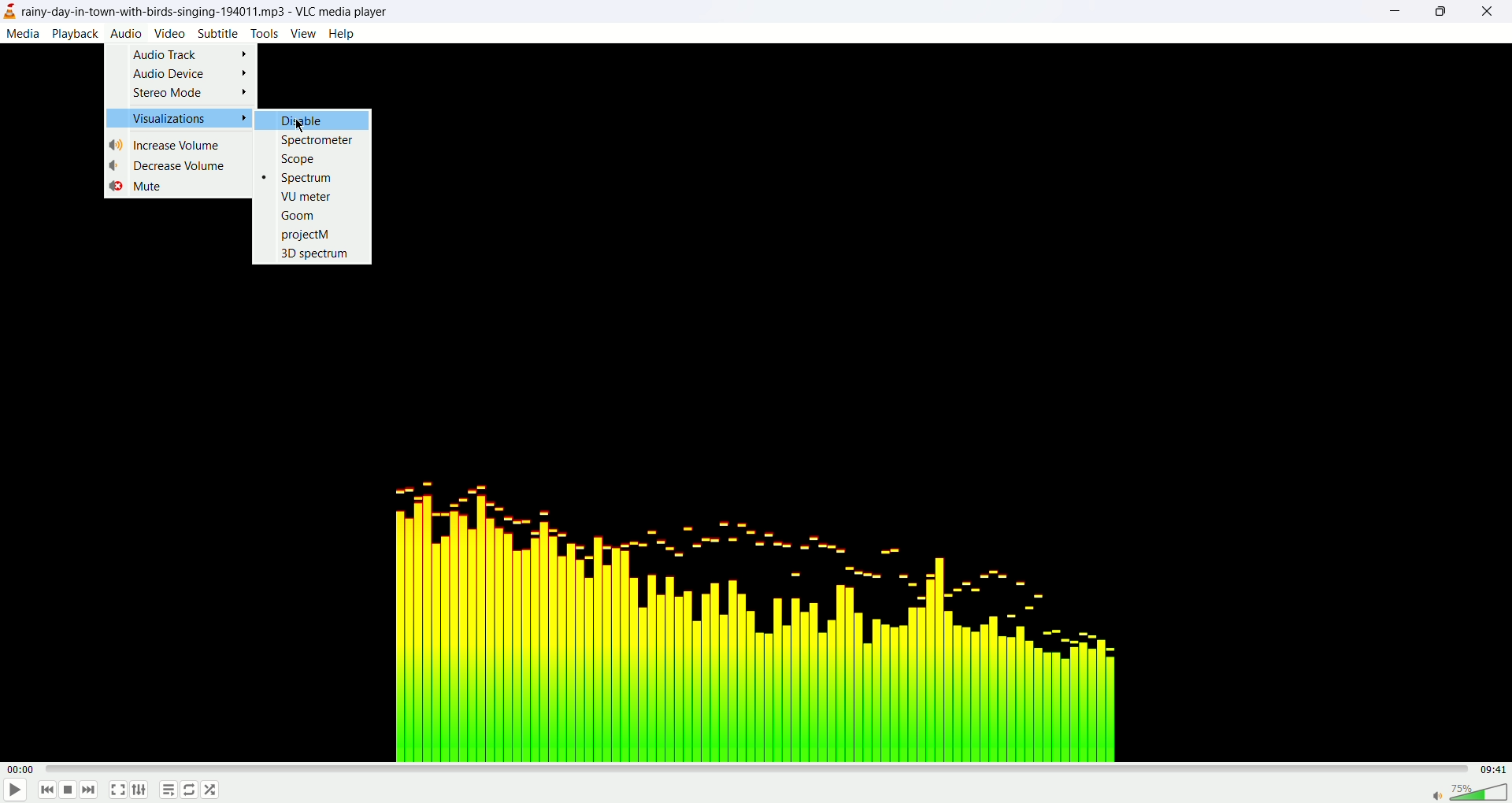 The image size is (1512, 803). I want to click on audio device, so click(191, 73).